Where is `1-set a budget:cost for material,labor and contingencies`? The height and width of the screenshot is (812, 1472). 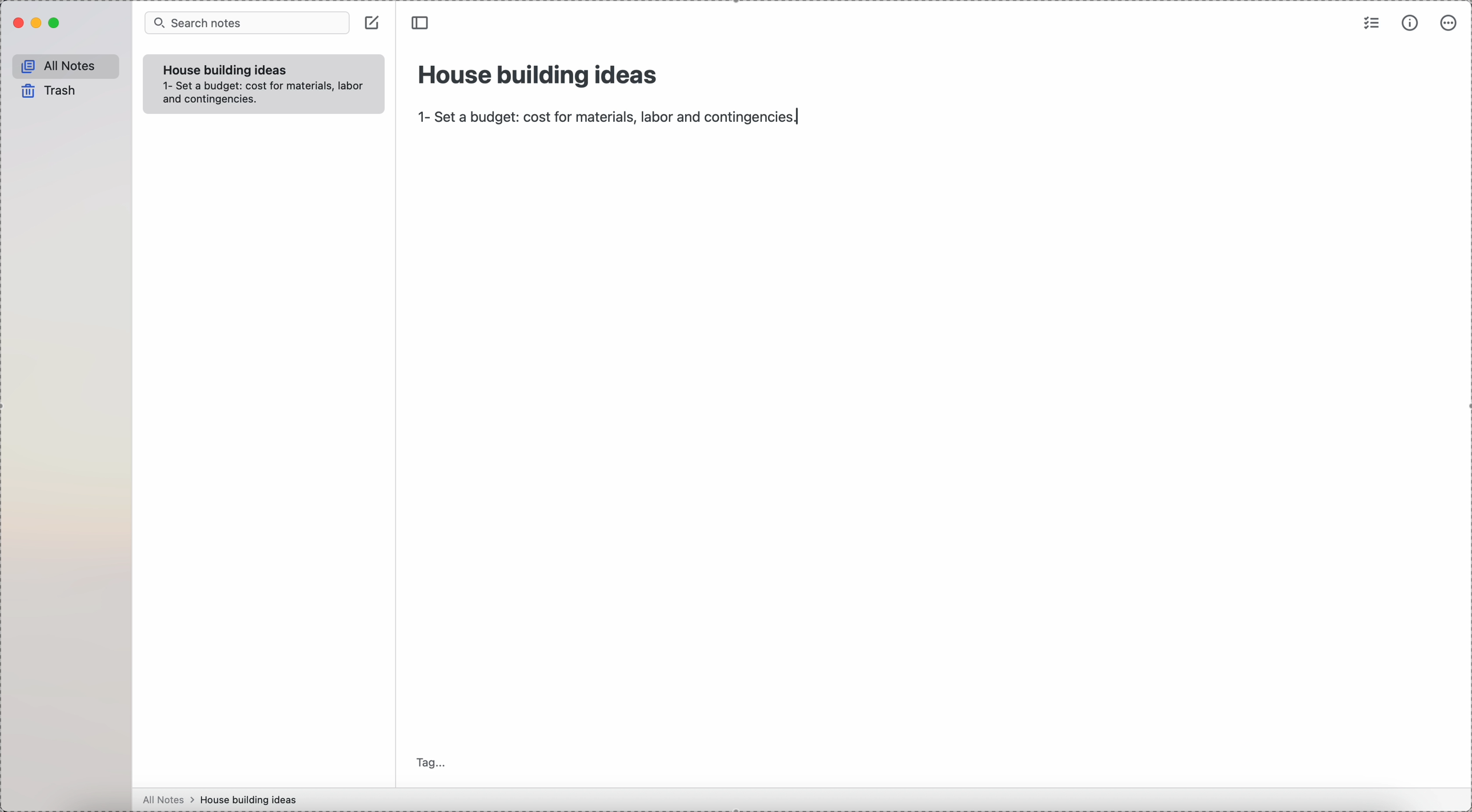 1-set a budget:cost for material,labor and contingencies is located at coordinates (614, 118).